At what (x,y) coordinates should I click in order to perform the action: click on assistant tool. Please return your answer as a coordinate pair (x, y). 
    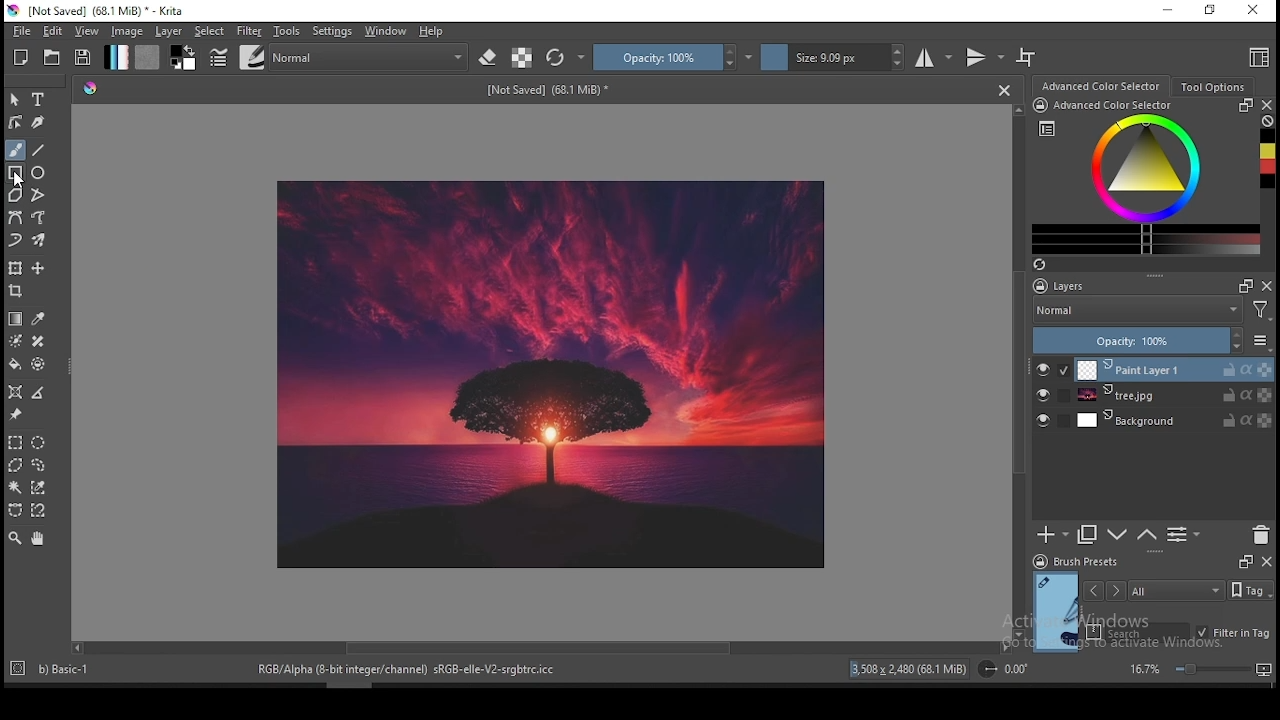
    Looking at the image, I should click on (16, 391).